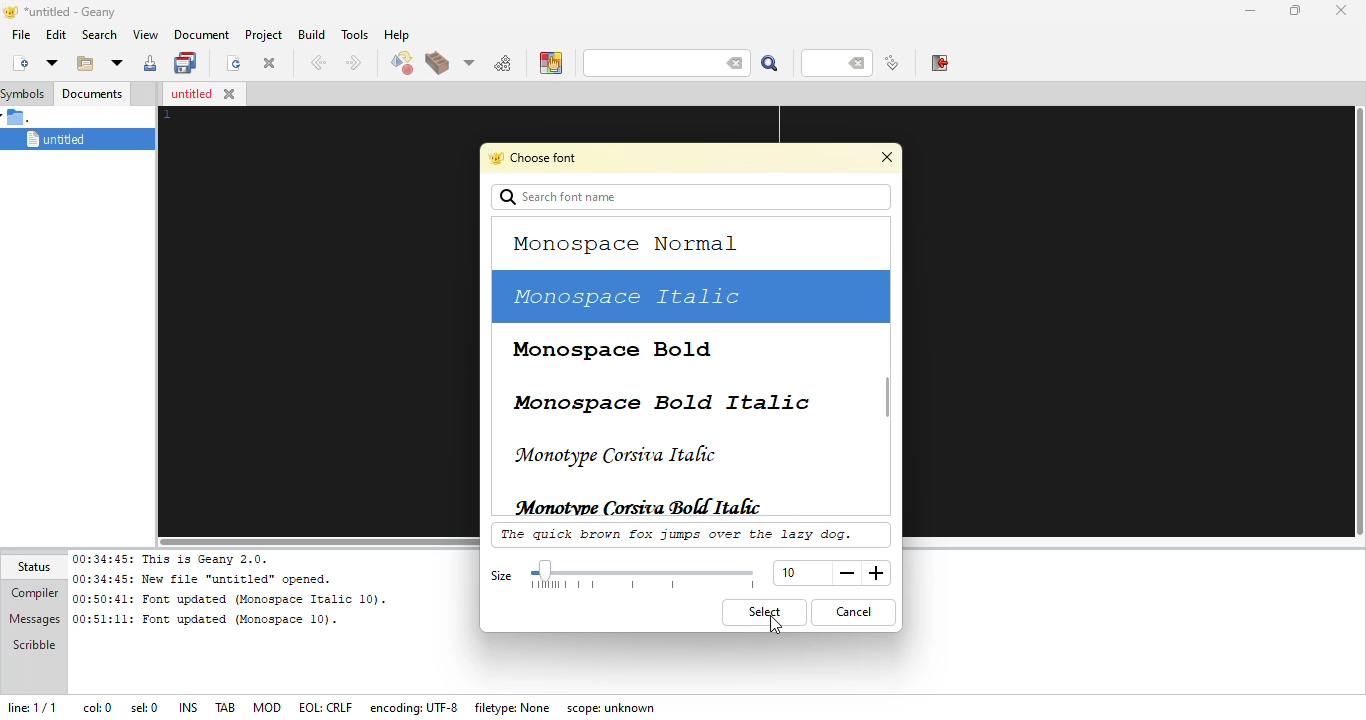 This screenshot has height=720, width=1366. What do you see at coordinates (730, 61) in the screenshot?
I see `back space` at bounding box center [730, 61].